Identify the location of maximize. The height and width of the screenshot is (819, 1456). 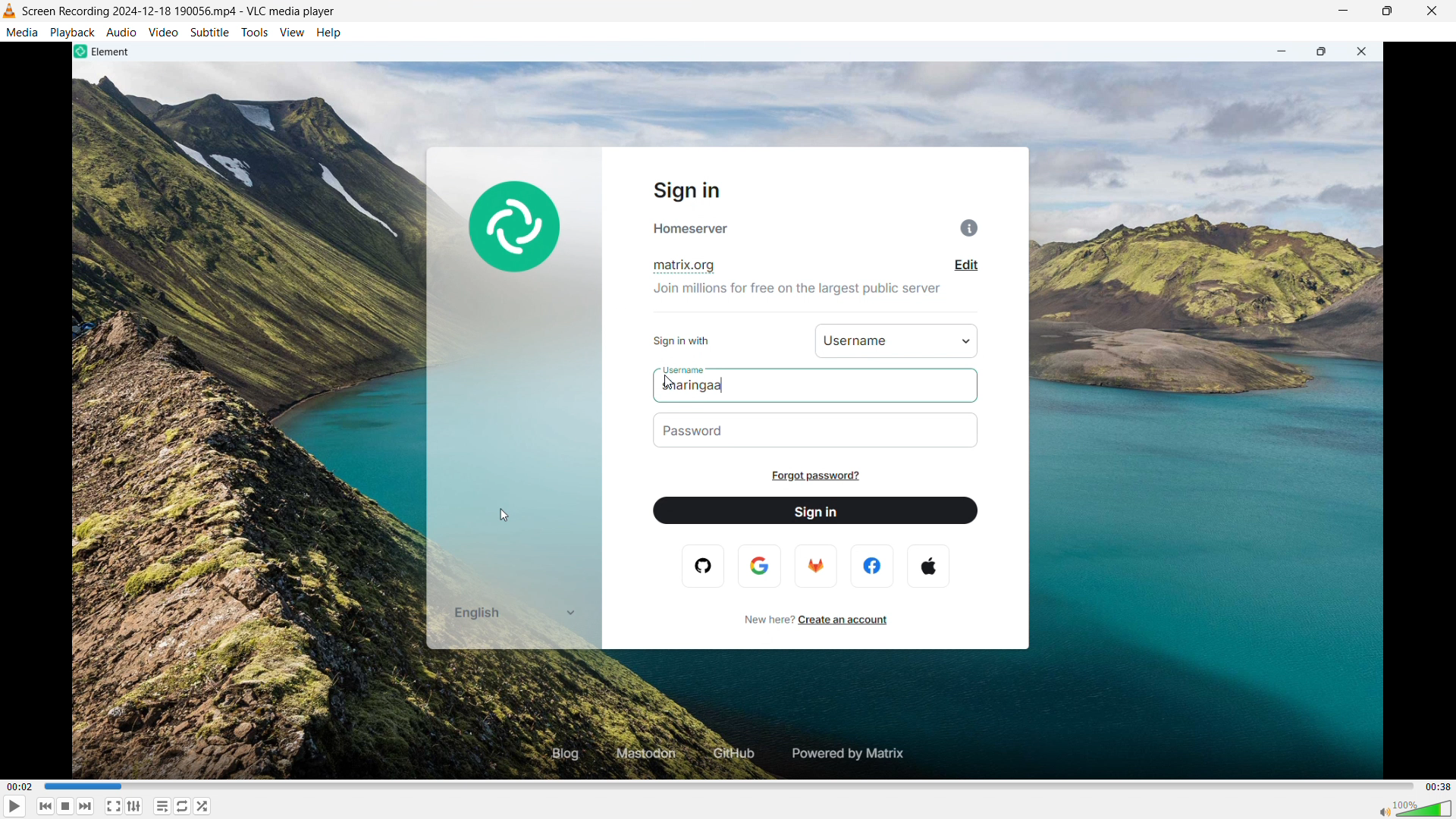
(1388, 11).